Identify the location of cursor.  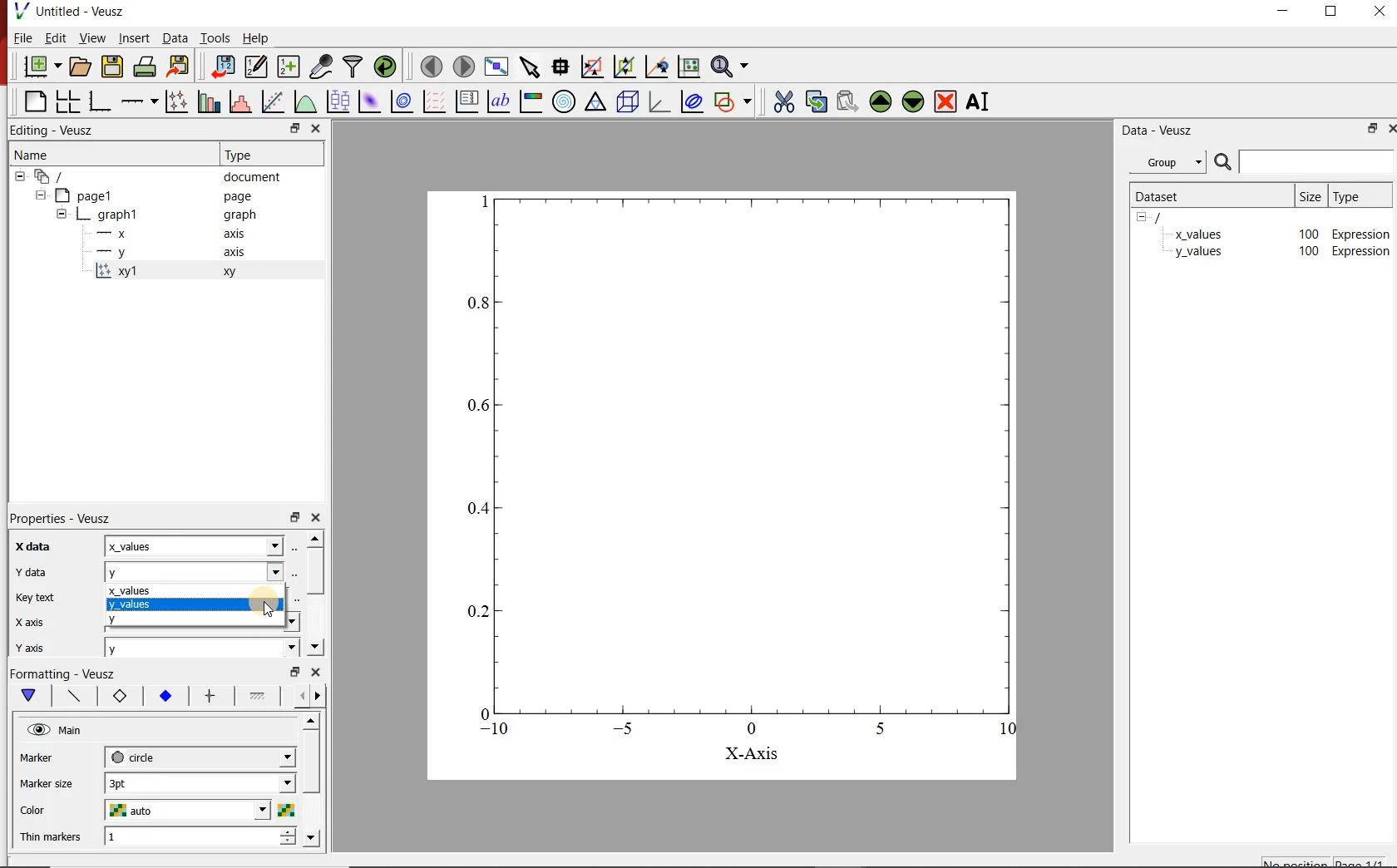
(271, 610).